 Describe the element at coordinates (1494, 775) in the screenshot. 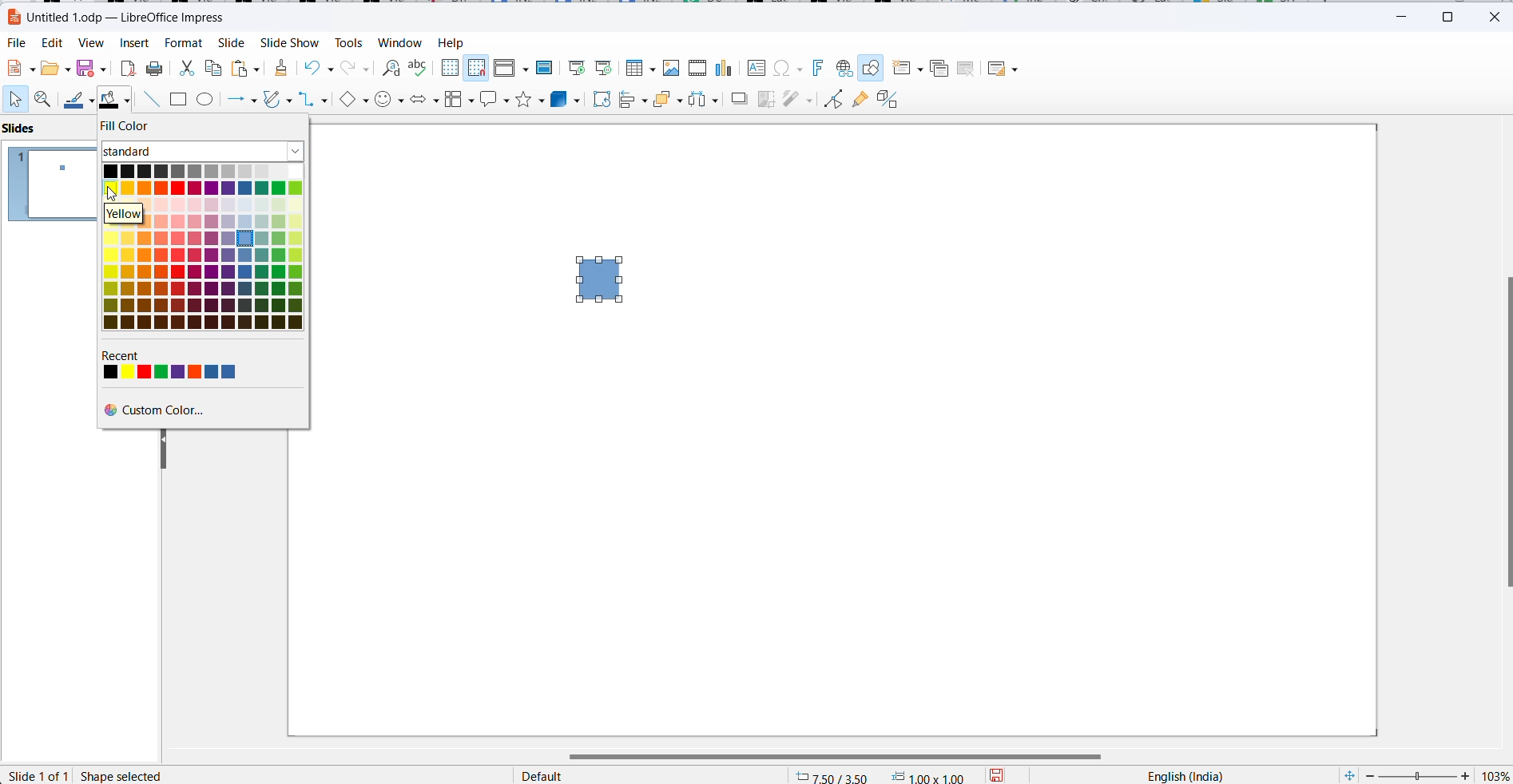

I see `zoom percentage` at that location.